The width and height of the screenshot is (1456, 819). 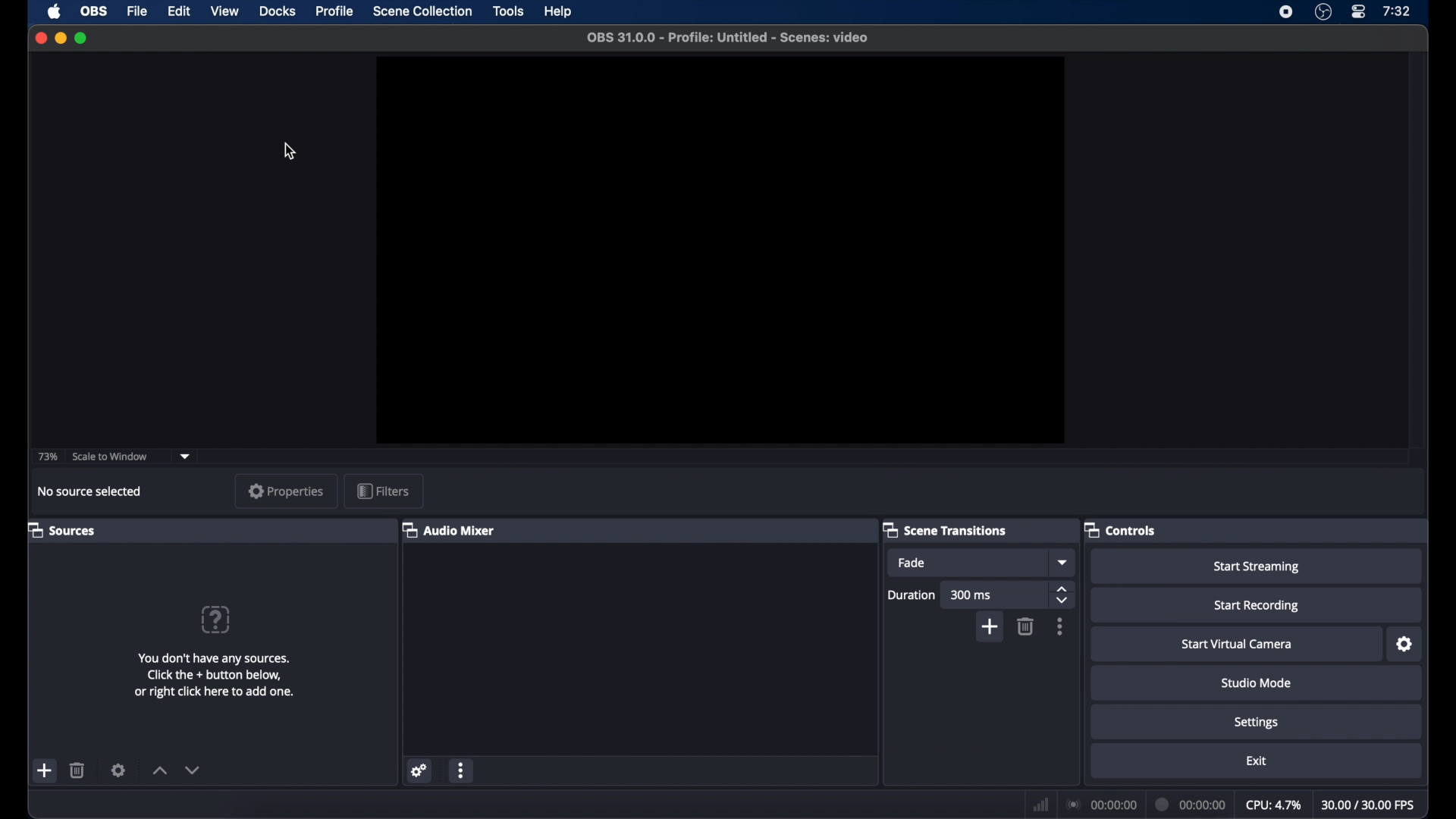 I want to click on settings, so click(x=1404, y=645).